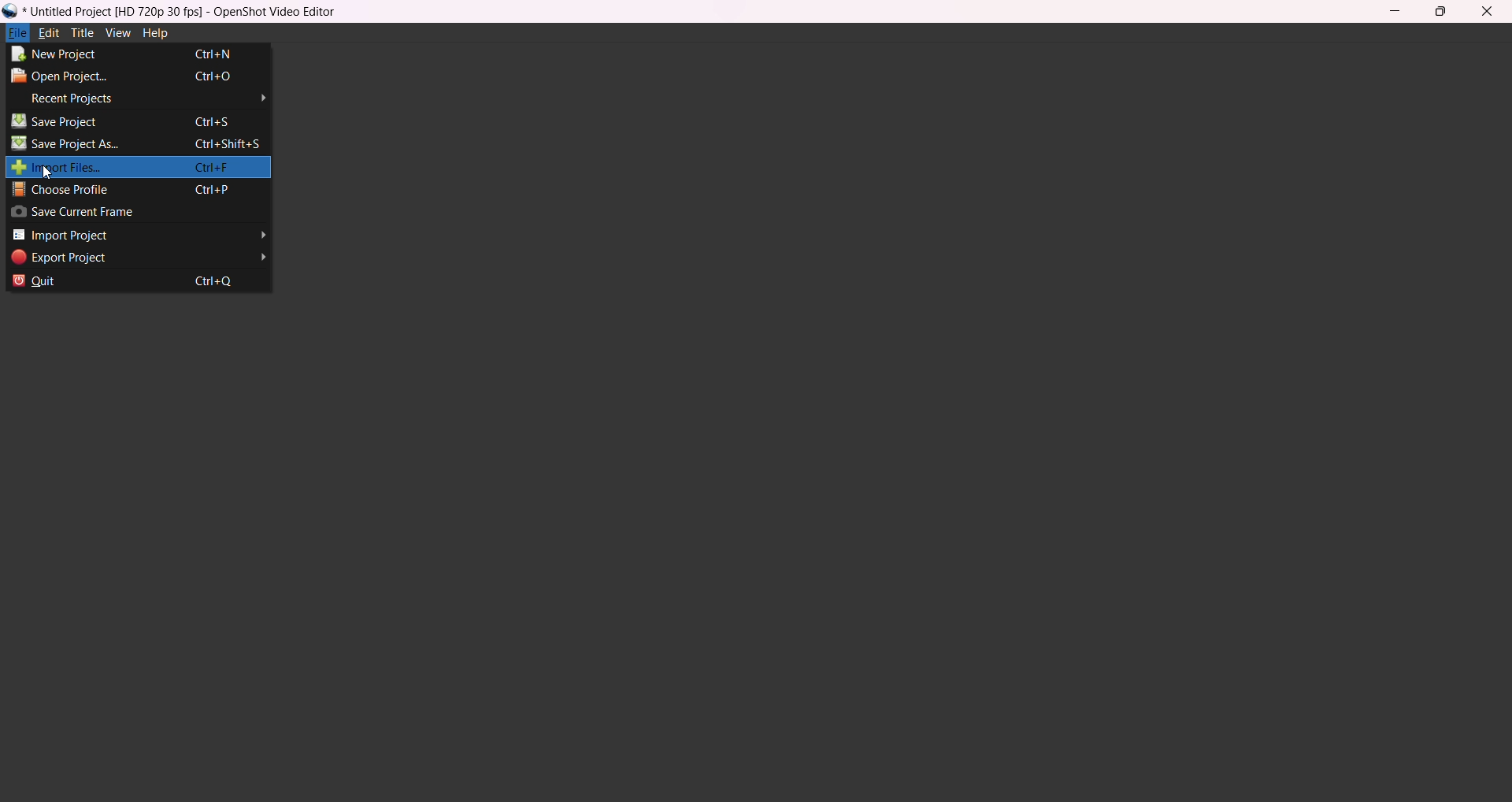 Image resolution: width=1512 pixels, height=802 pixels. Describe the element at coordinates (47, 34) in the screenshot. I see `edit` at that location.